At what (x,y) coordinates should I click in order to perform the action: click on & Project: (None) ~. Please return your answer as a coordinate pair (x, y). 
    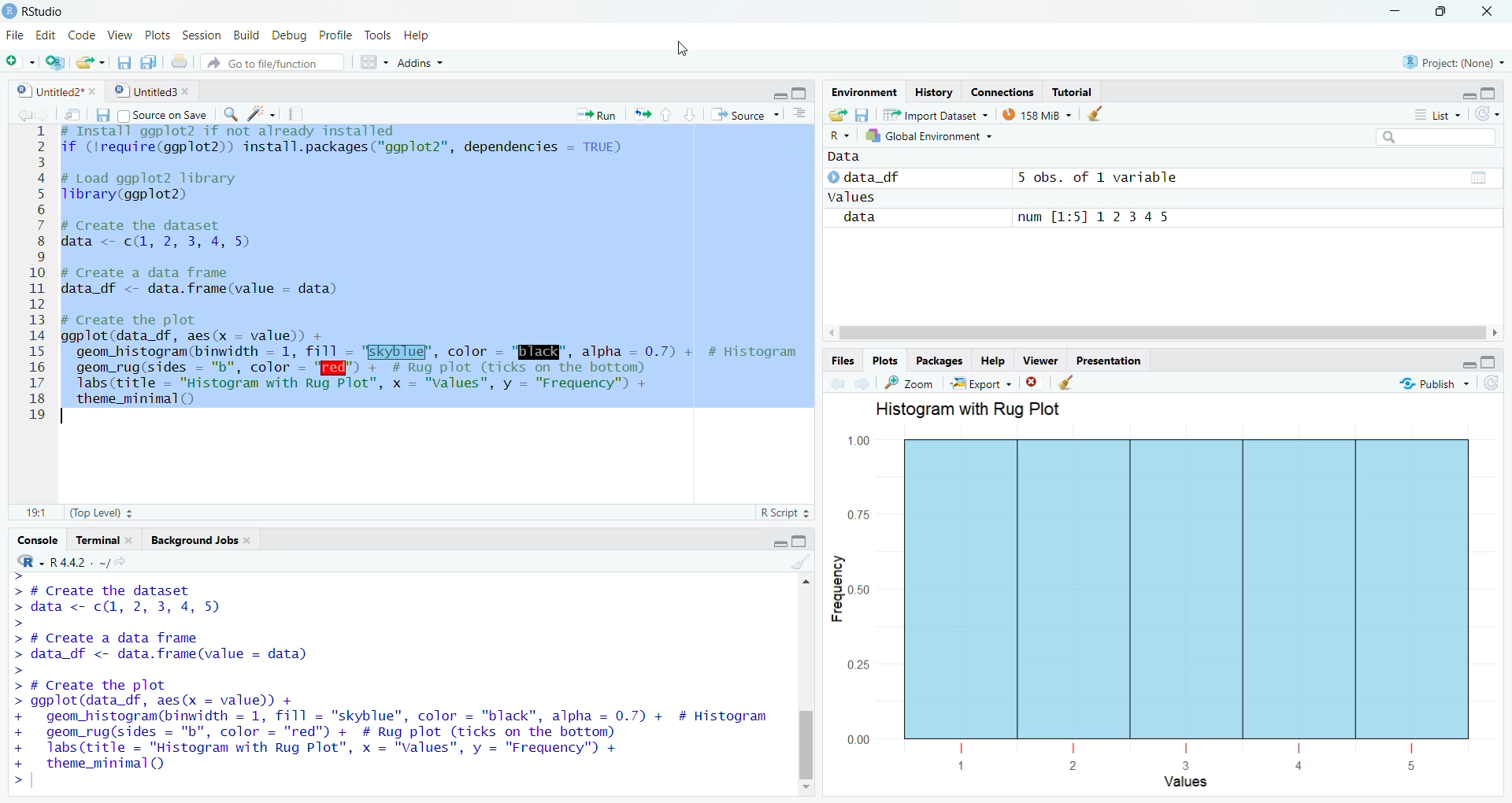
    Looking at the image, I should click on (1451, 58).